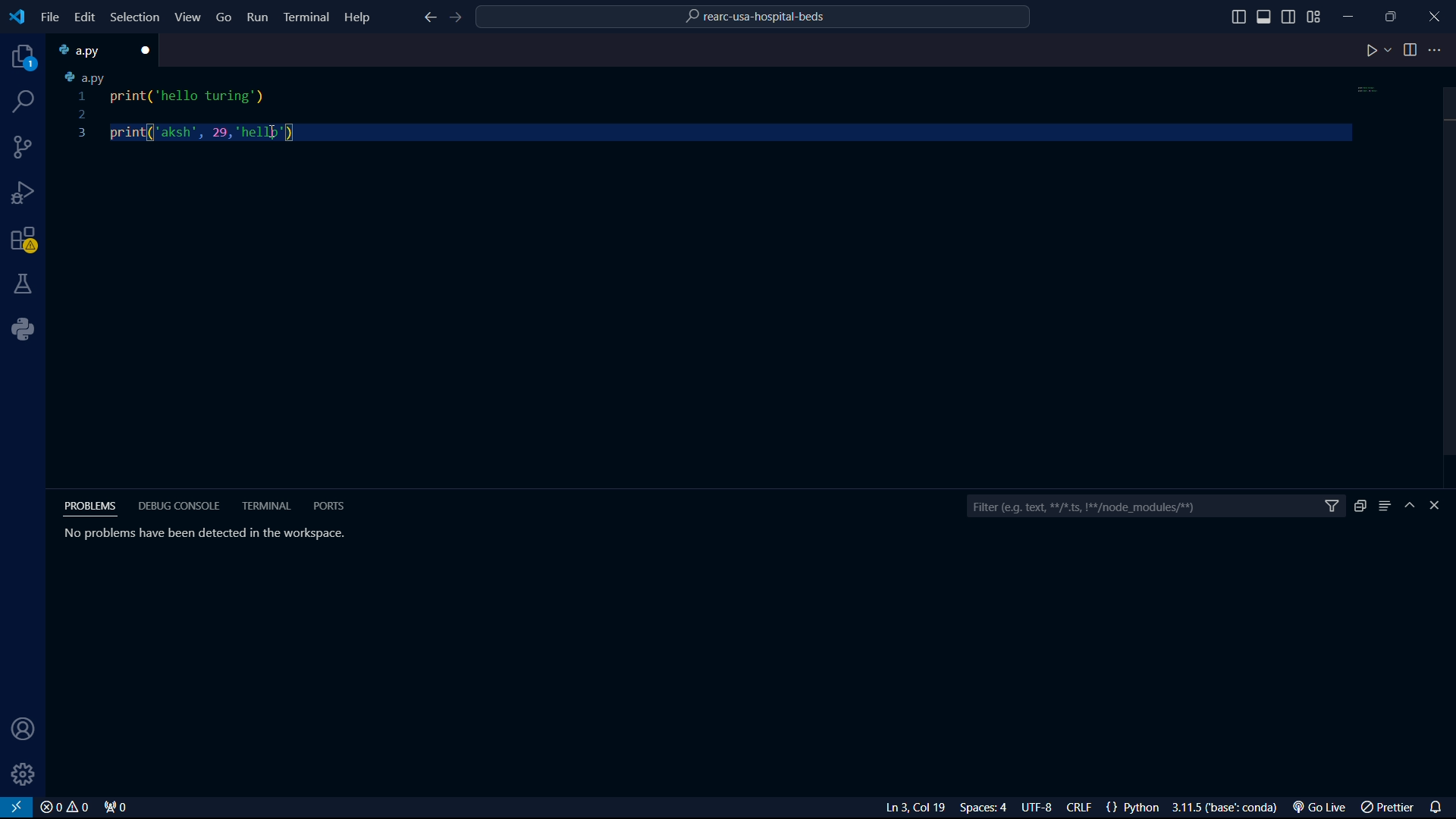  What do you see at coordinates (987, 808) in the screenshot?
I see `Spaces: 4` at bounding box center [987, 808].